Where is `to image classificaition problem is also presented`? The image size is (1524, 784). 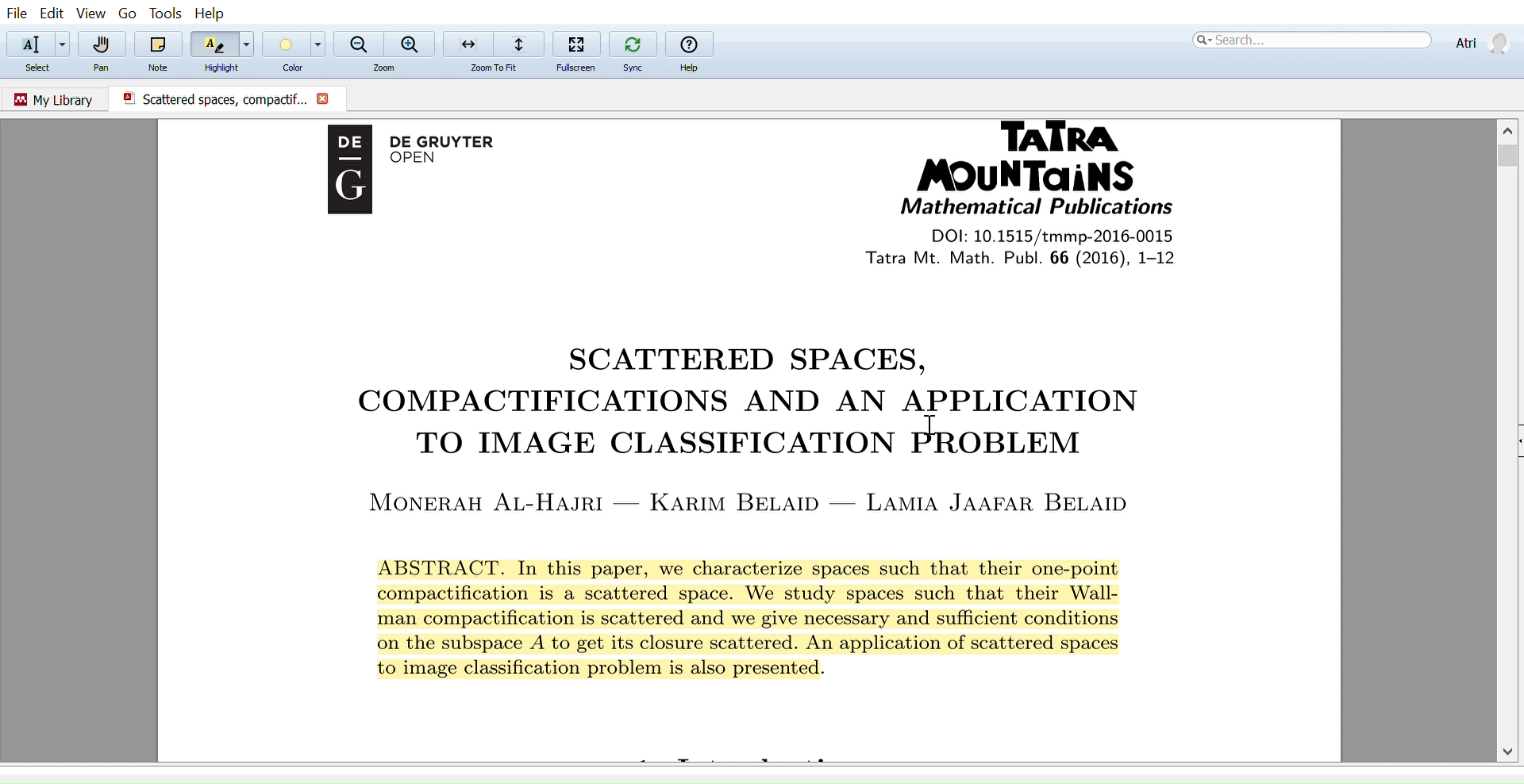 to image classificaition problem is also presented is located at coordinates (598, 669).